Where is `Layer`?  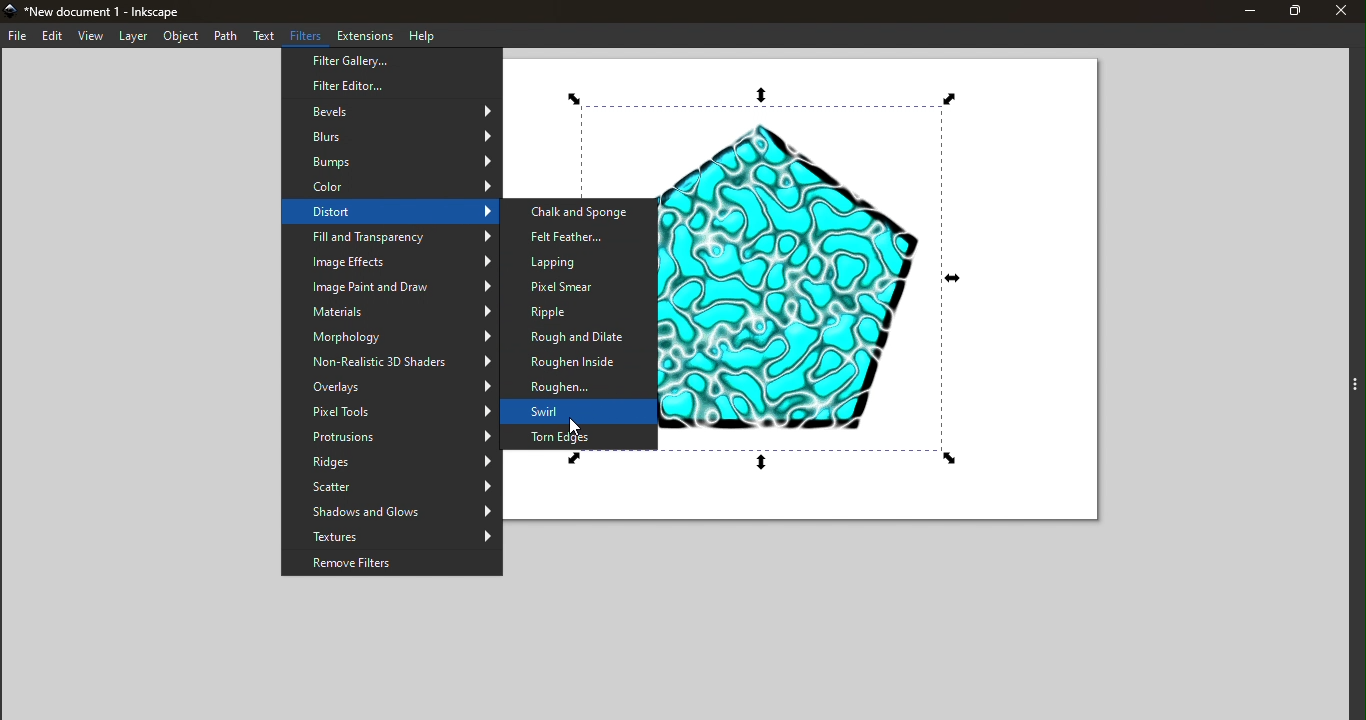
Layer is located at coordinates (130, 37).